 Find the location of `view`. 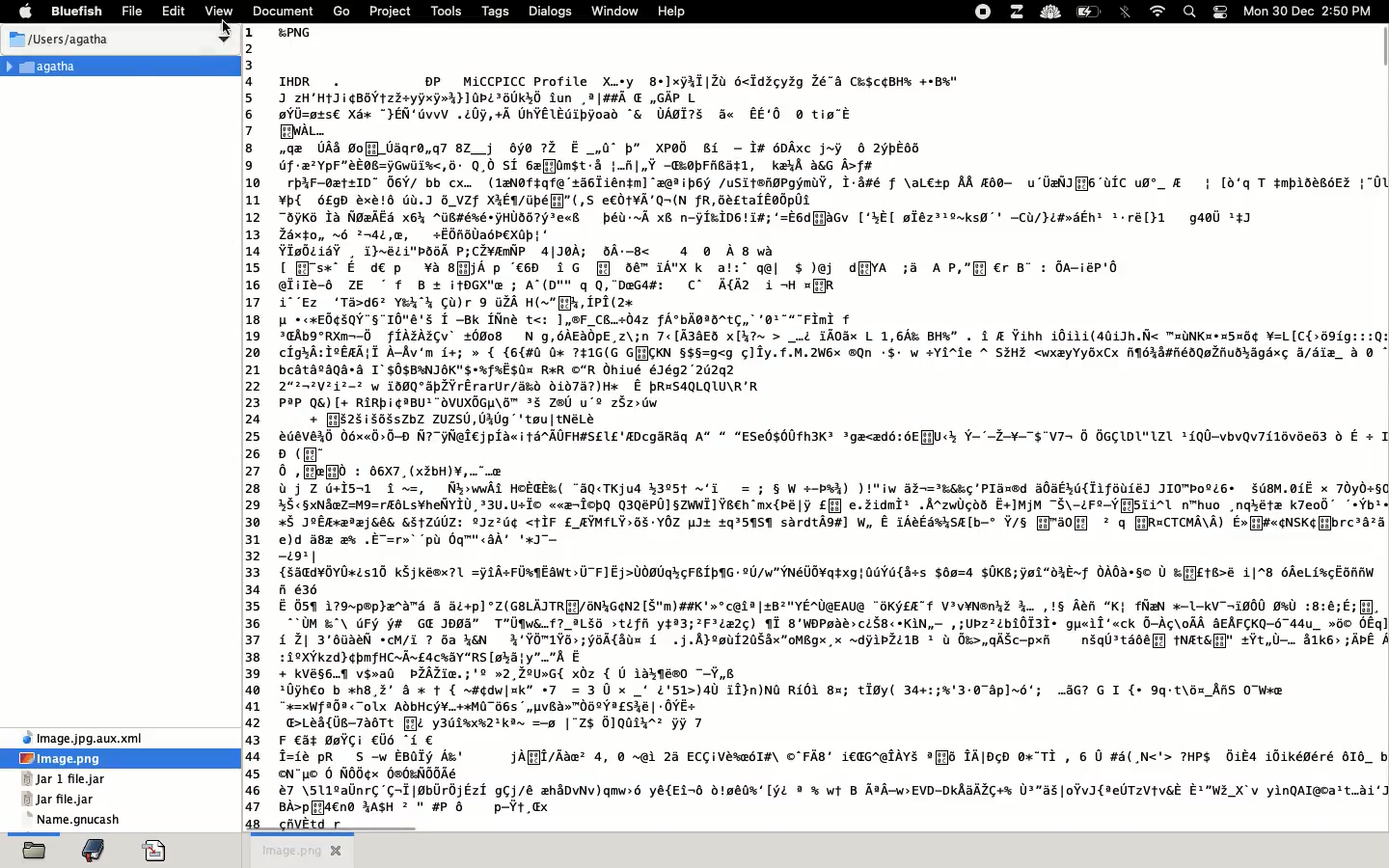

view is located at coordinates (220, 10).